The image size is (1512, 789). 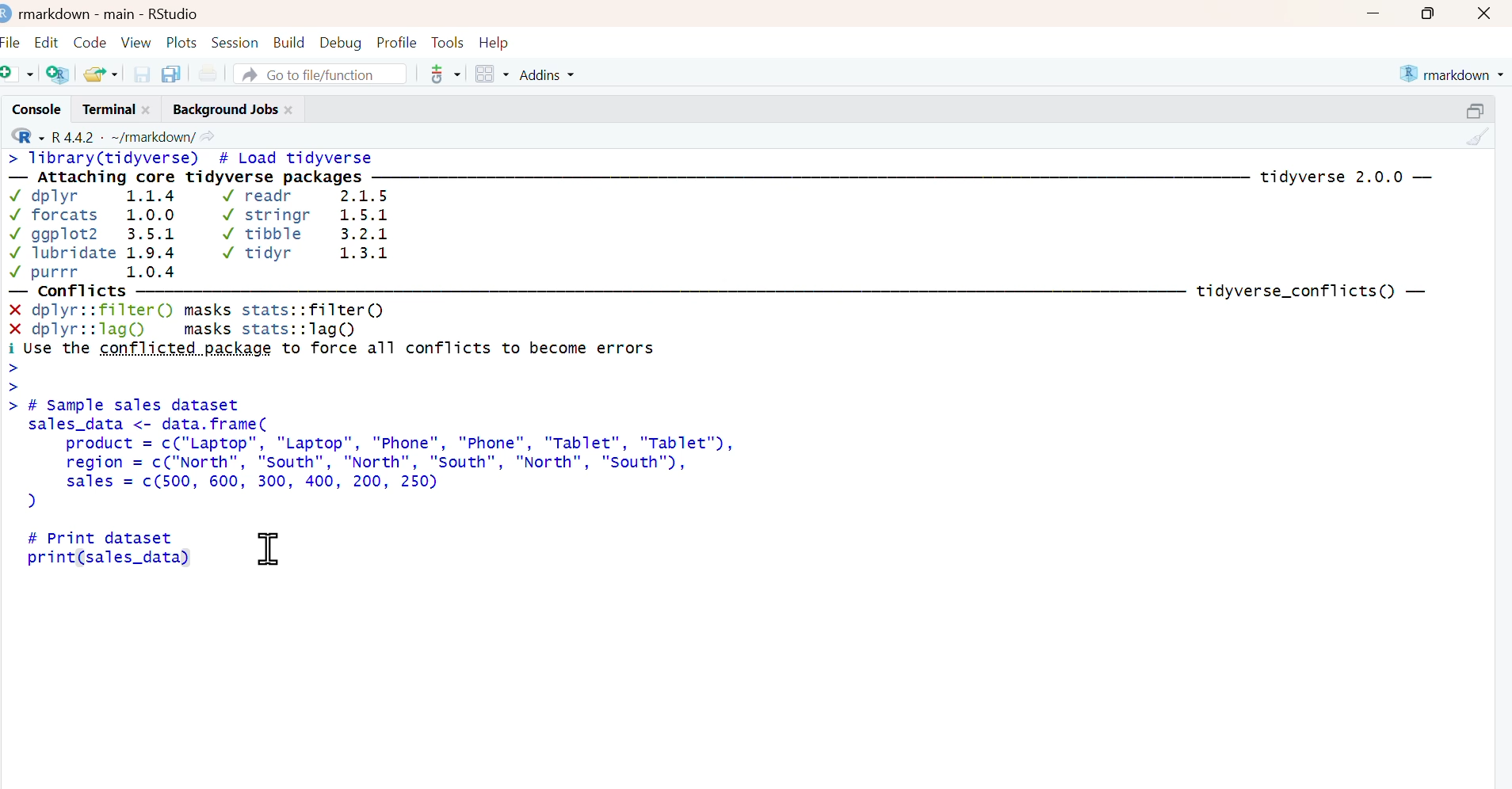 What do you see at coordinates (174, 12) in the screenshot?
I see `RStudio` at bounding box center [174, 12].